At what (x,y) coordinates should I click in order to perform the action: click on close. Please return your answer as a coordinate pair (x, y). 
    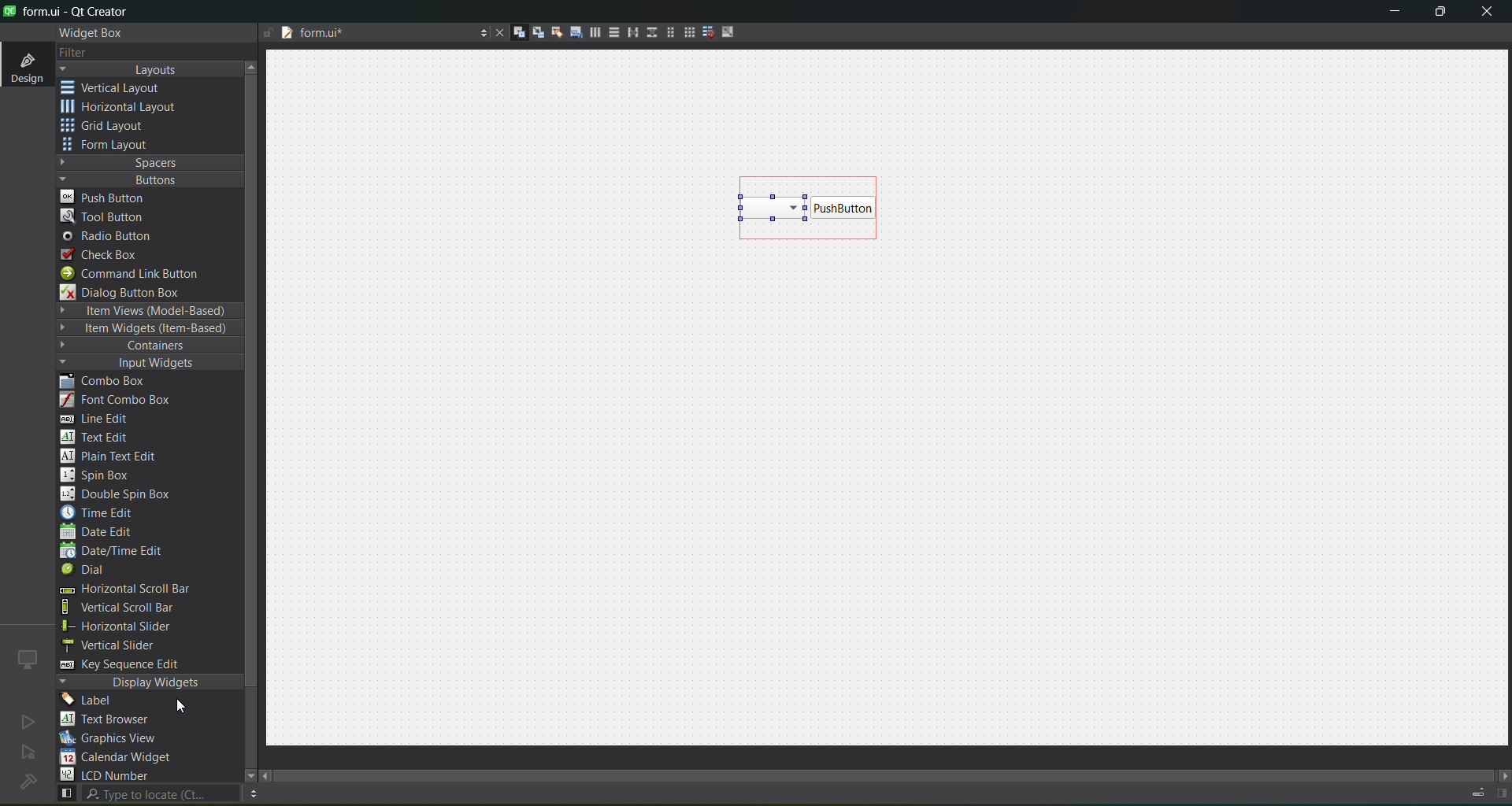
    Looking at the image, I should click on (1487, 13).